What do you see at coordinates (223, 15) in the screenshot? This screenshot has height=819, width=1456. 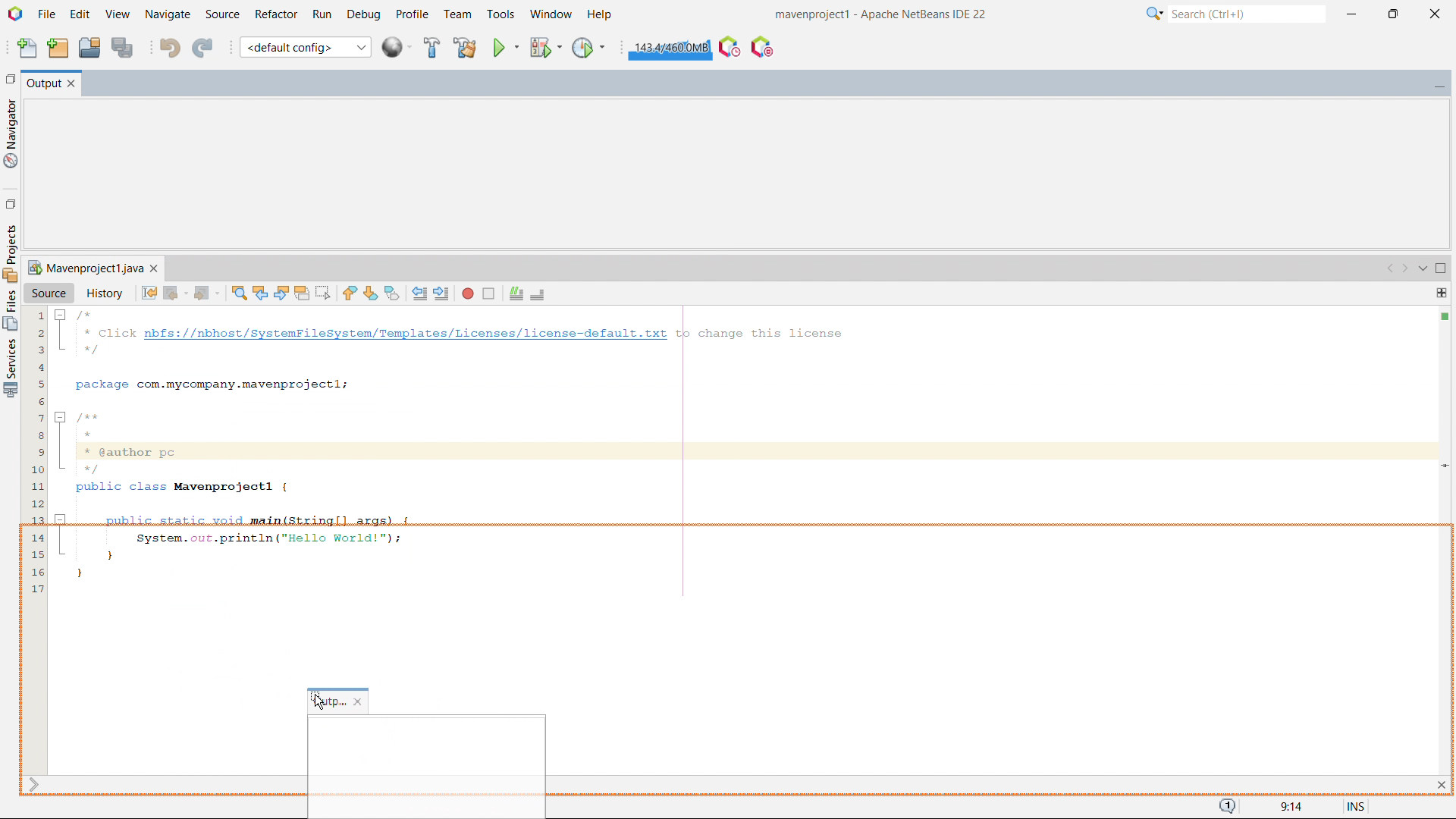 I see `source` at bounding box center [223, 15].